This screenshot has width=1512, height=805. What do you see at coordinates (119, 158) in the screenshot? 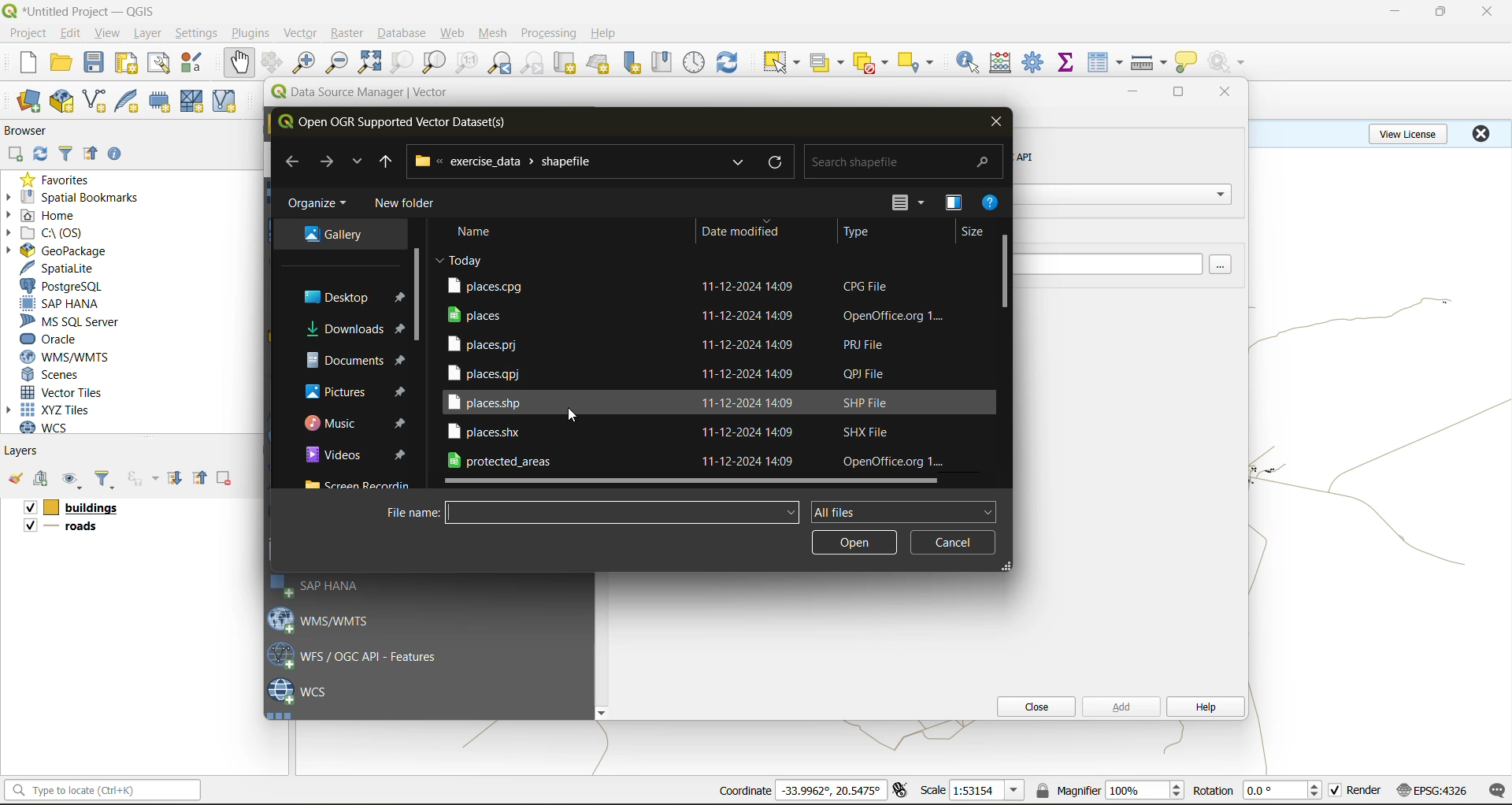
I see `enable/disable properties` at bounding box center [119, 158].